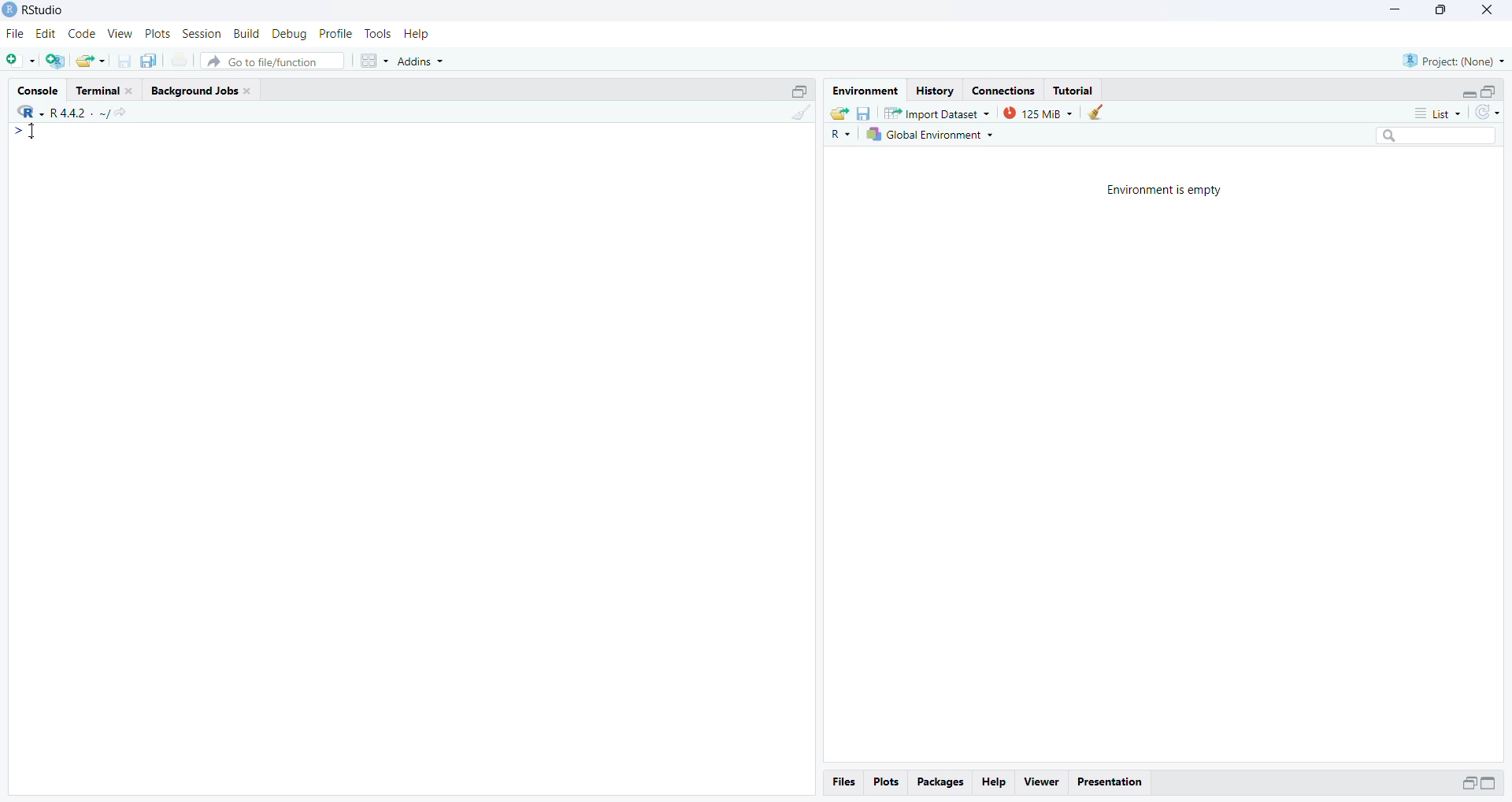 The width and height of the screenshot is (1512, 802). Describe the element at coordinates (91, 61) in the screenshot. I see `open existing file` at that location.